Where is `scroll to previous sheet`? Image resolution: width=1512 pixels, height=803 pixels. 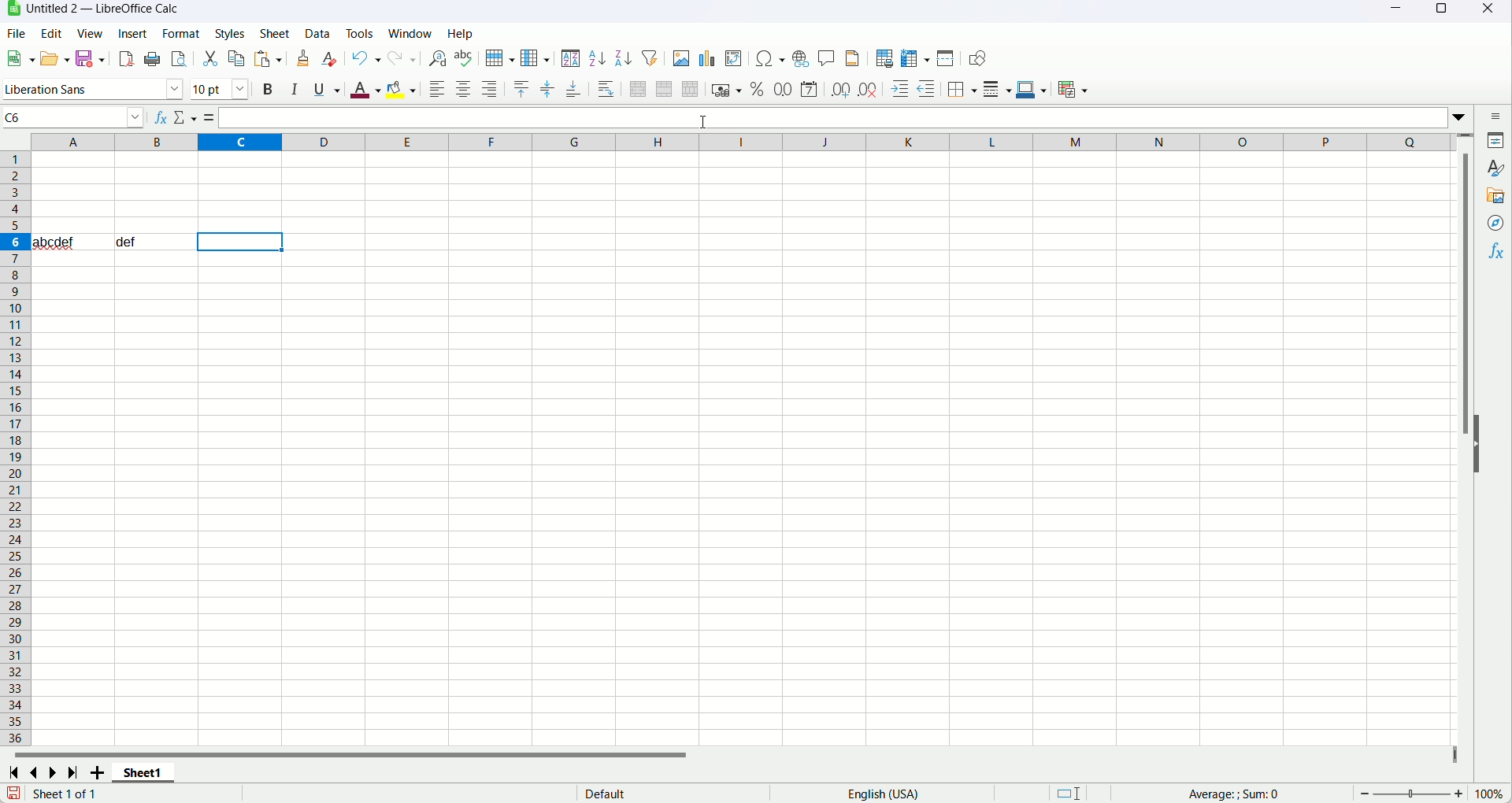 scroll to previous sheet is located at coordinates (36, 771).